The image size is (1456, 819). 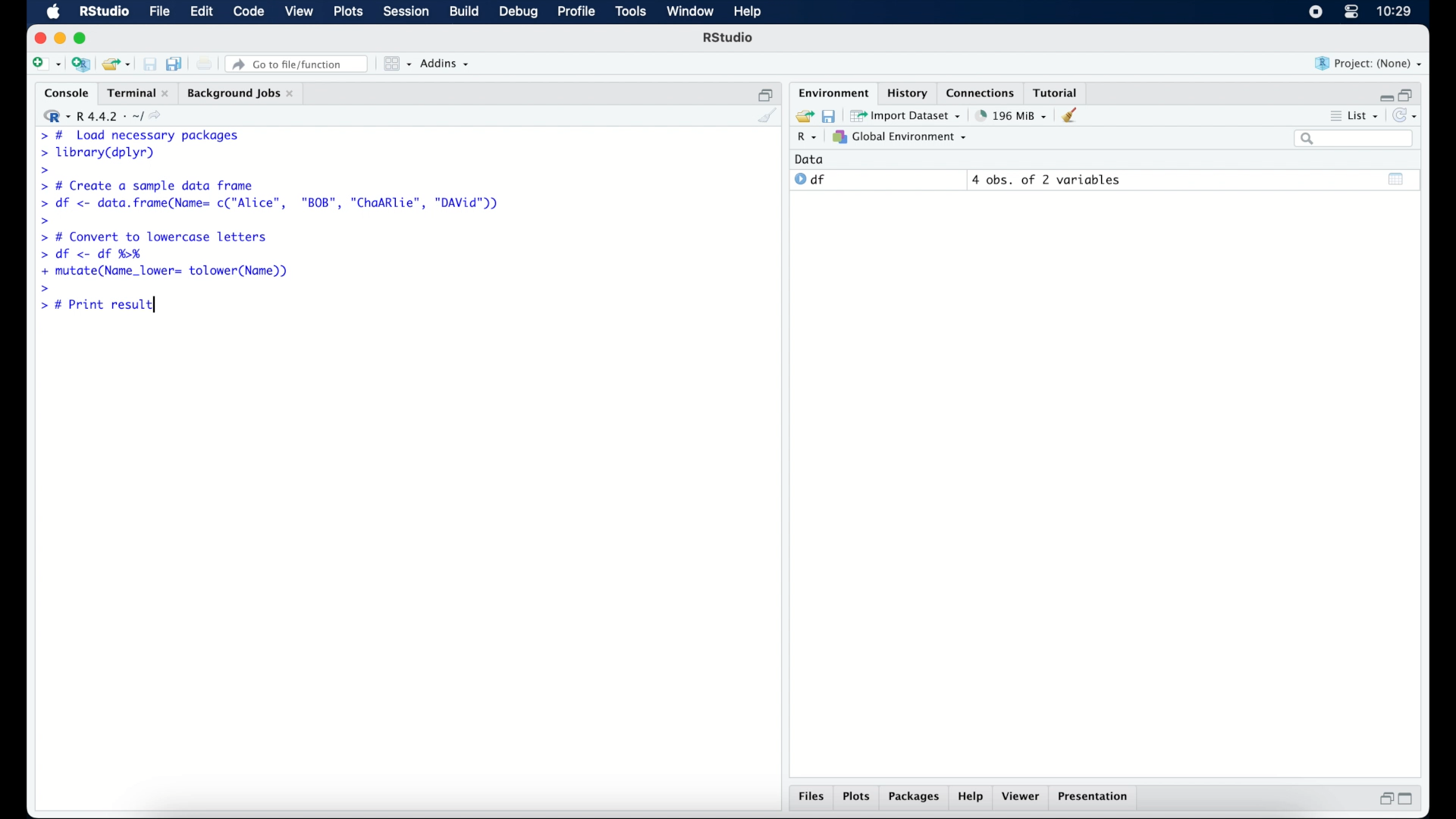 What do you see at coordinates (1407, 117) in the screenshot?
I see `refresh` at bounding box center [1407, 117].